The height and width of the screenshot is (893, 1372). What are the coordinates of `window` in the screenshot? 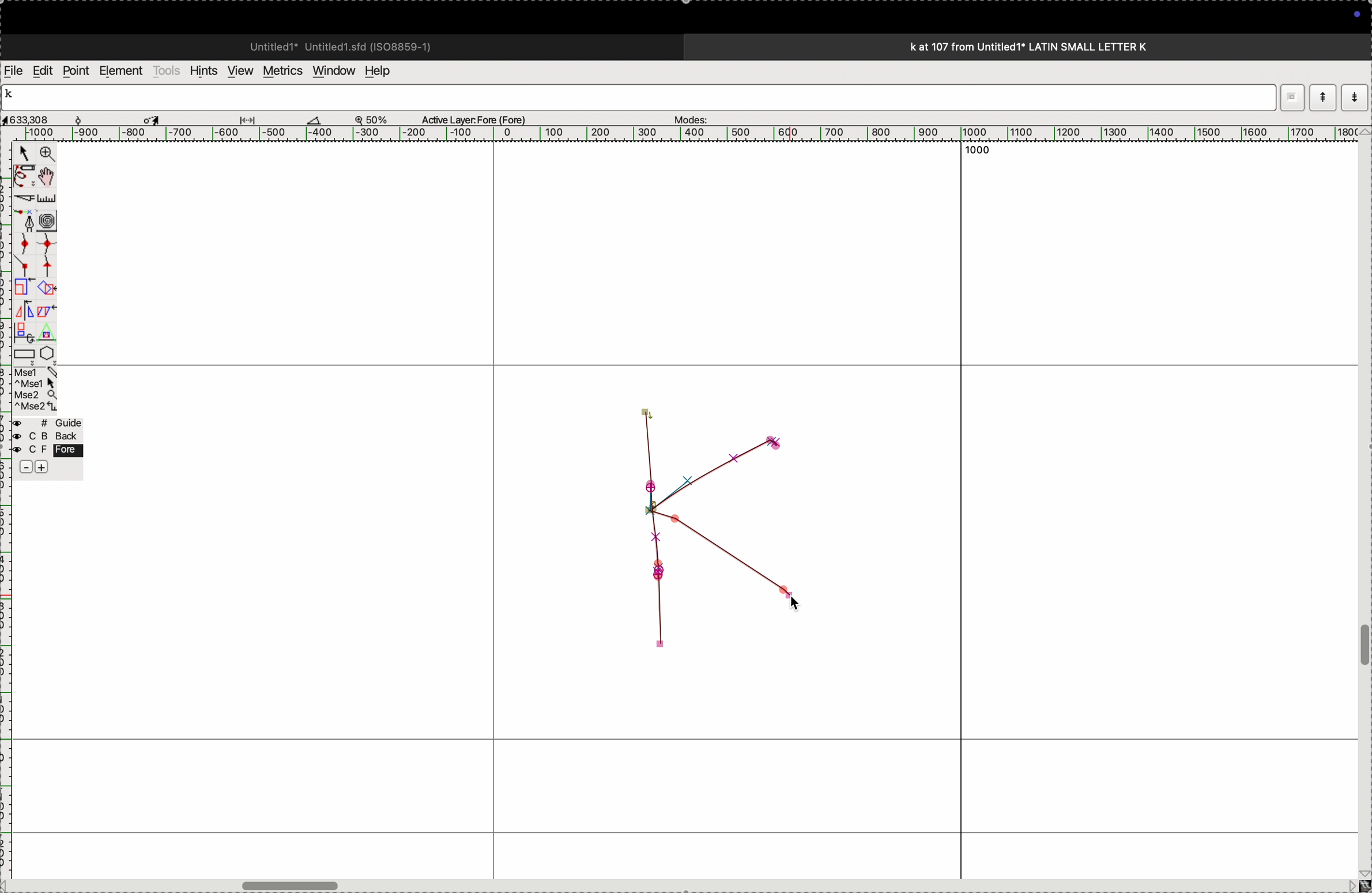 It's located at (331, 70).